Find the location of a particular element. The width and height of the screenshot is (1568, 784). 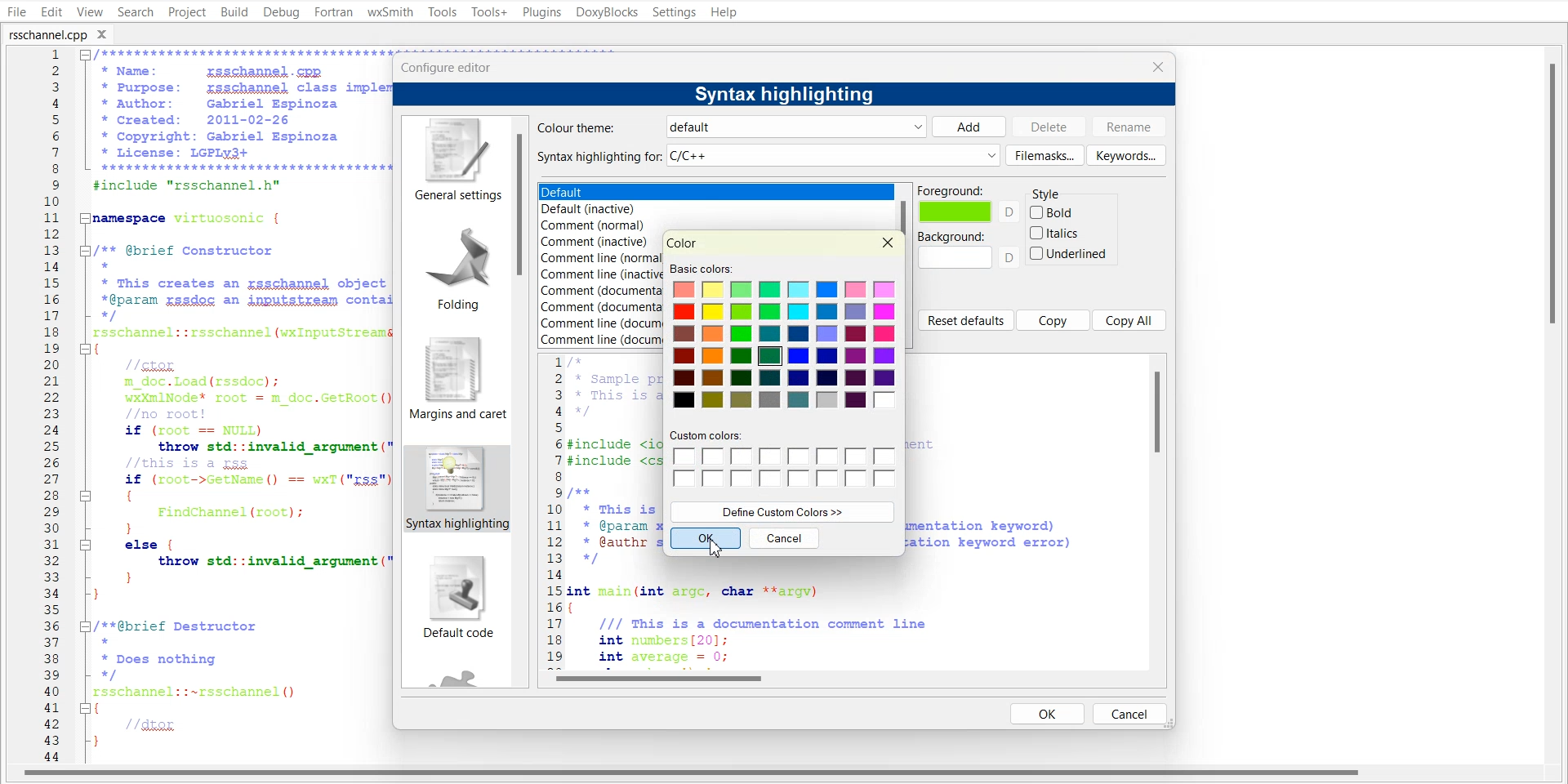

DoxyBlocks is located at coordinates (606, 12).